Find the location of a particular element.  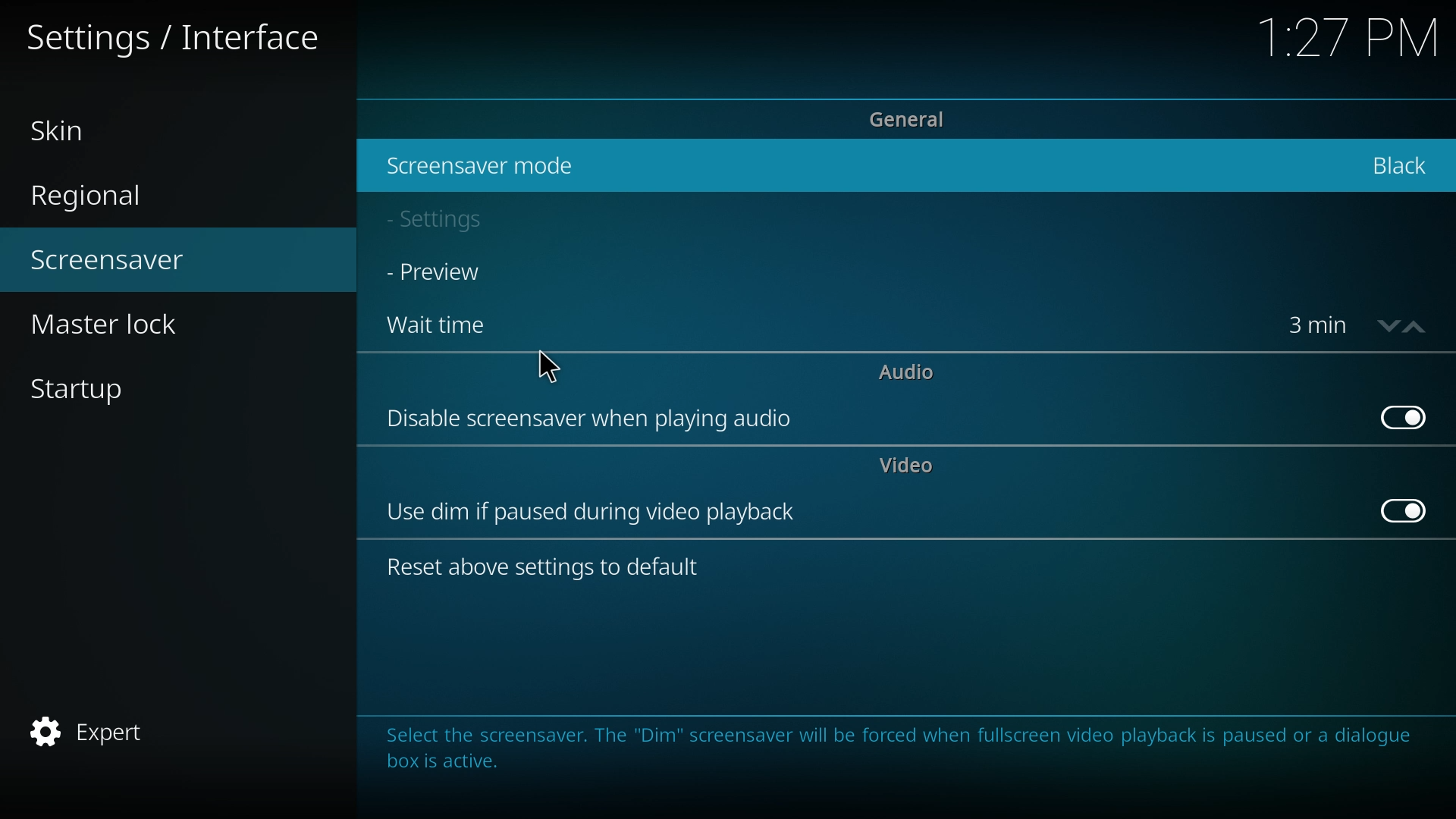

expert is located at coordinates (121, 730).